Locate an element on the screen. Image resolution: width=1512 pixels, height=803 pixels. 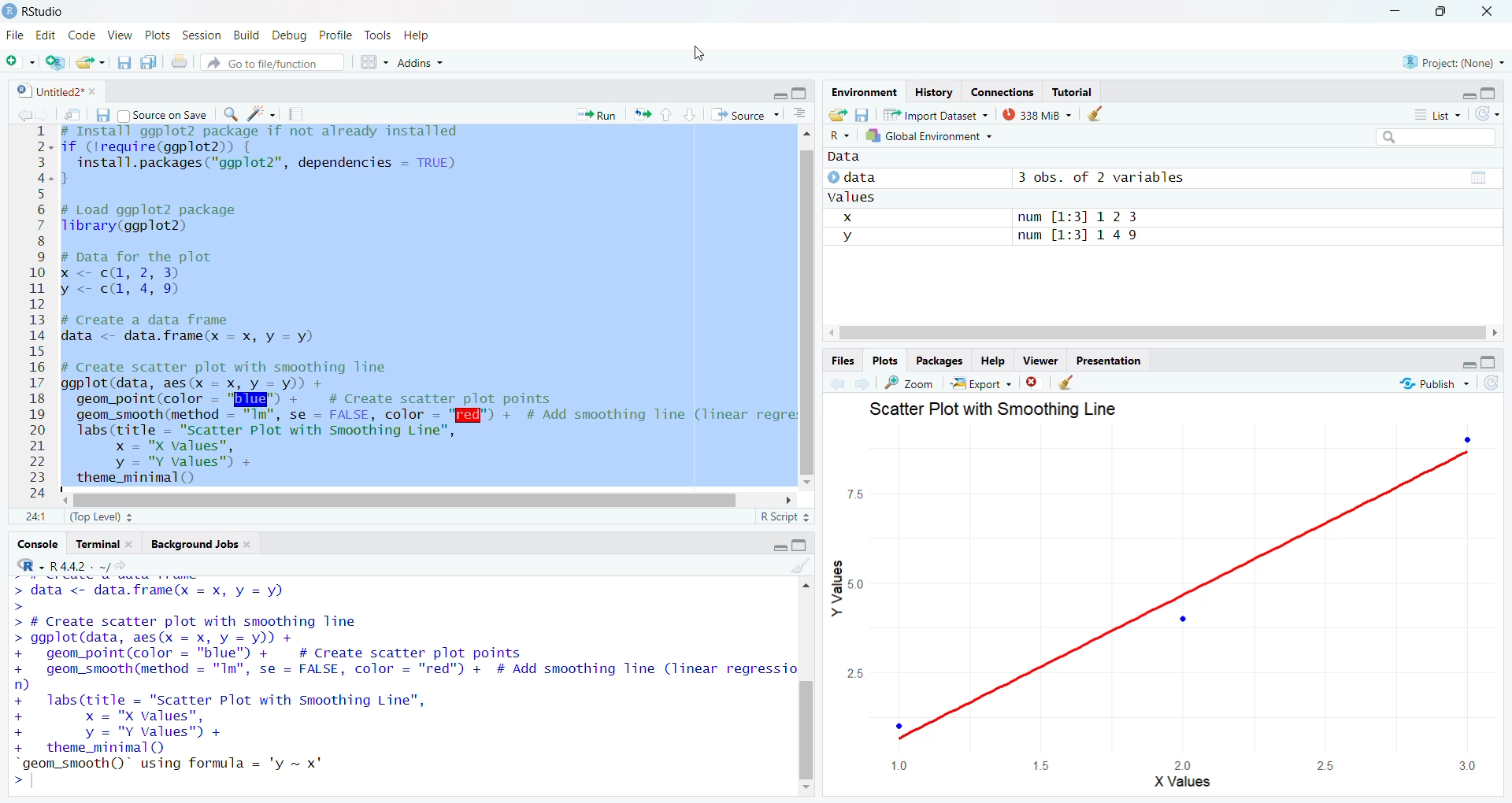
maximize is located at coordinates (1442, 11).